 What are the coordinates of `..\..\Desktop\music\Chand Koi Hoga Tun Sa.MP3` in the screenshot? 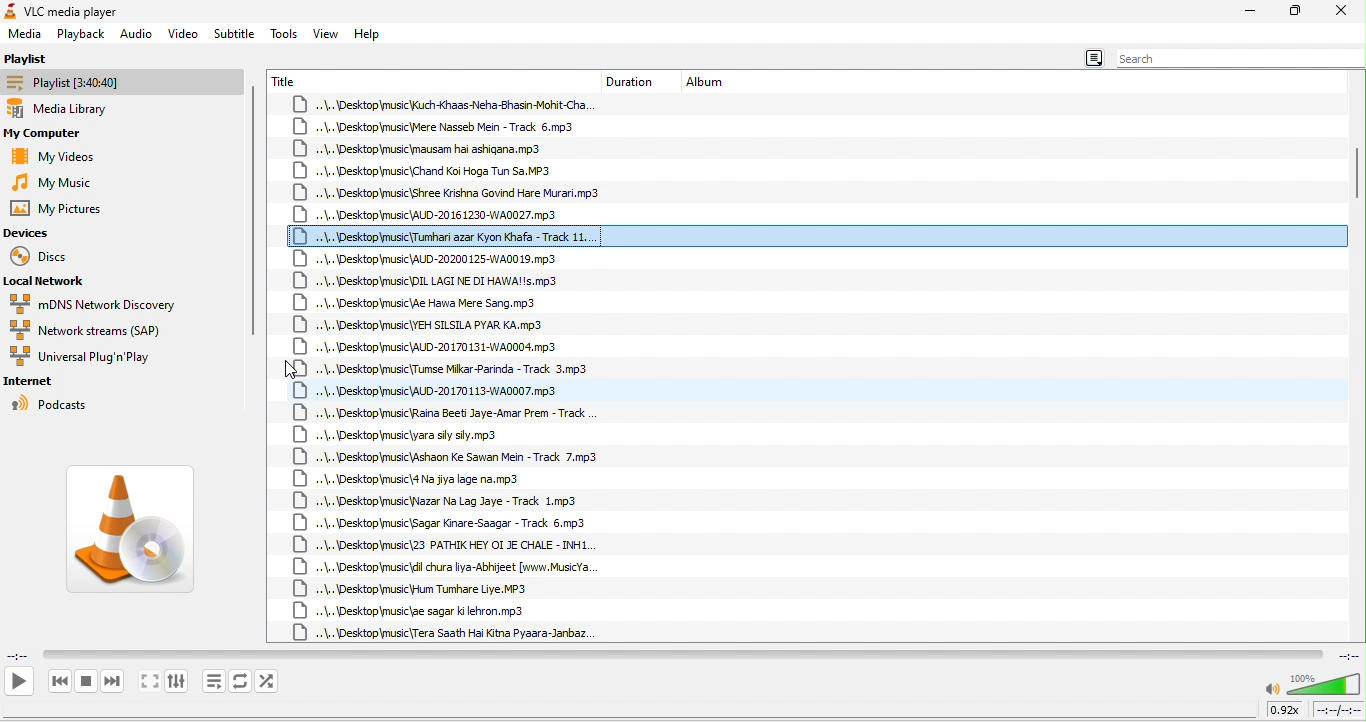 It's located at (423, 170).